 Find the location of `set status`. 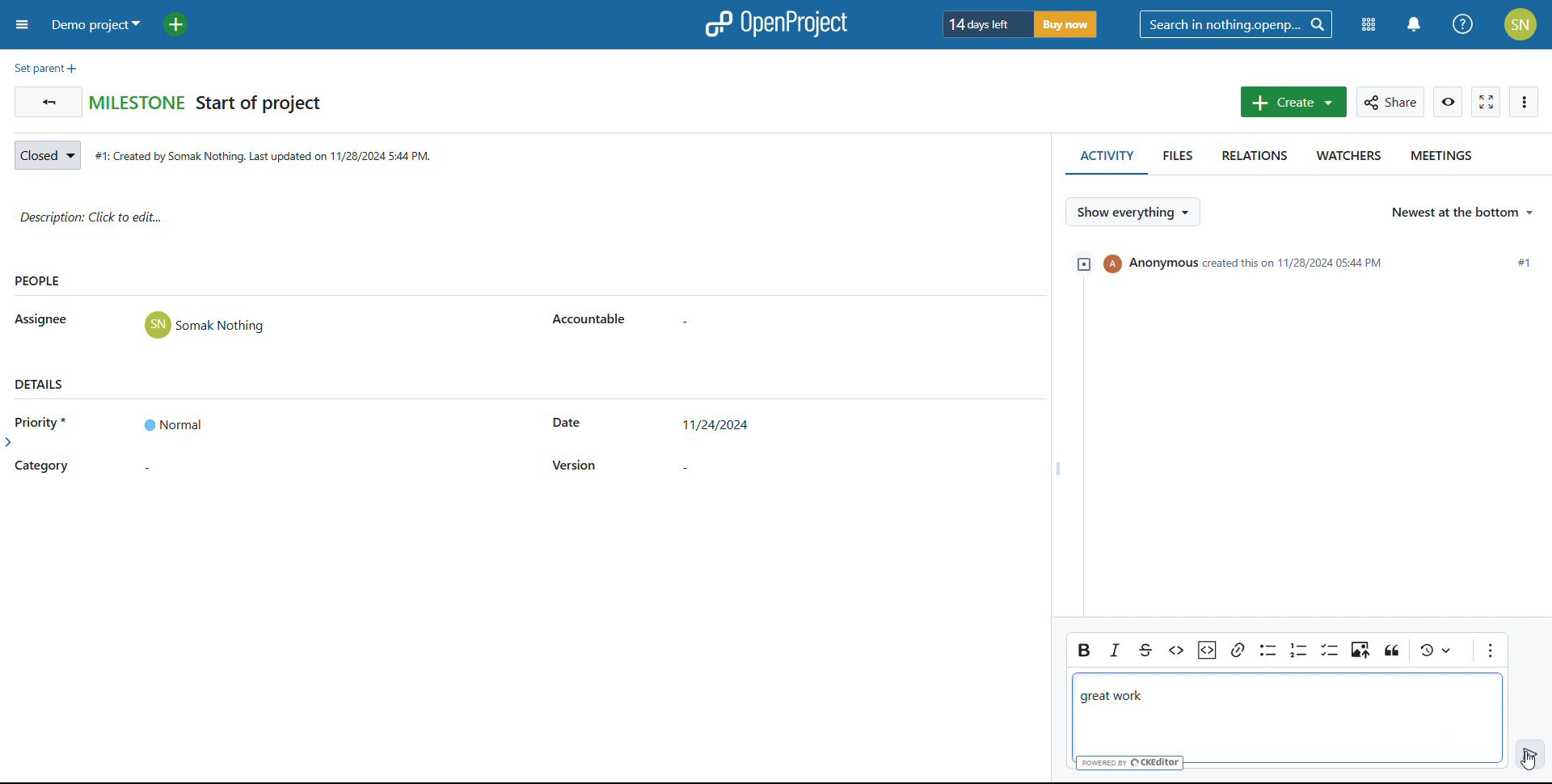

set status is located at coordinates (47, 156).